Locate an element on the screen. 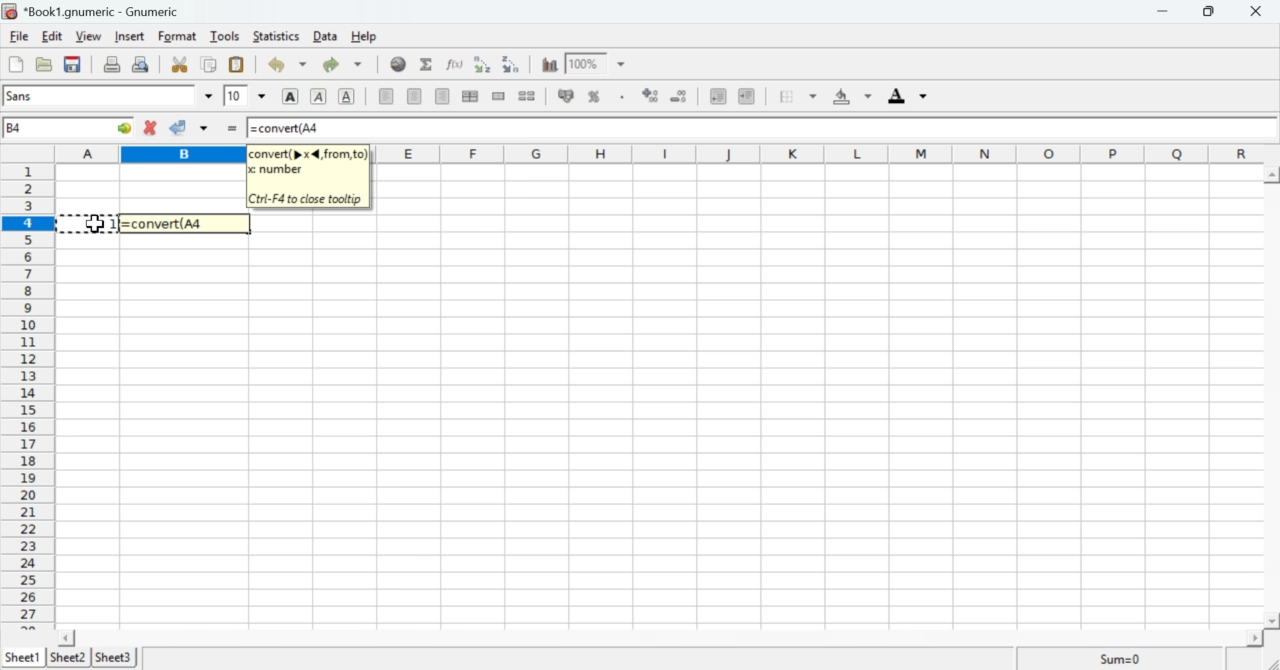  Center horizontally is located at coordinates (415, 97).